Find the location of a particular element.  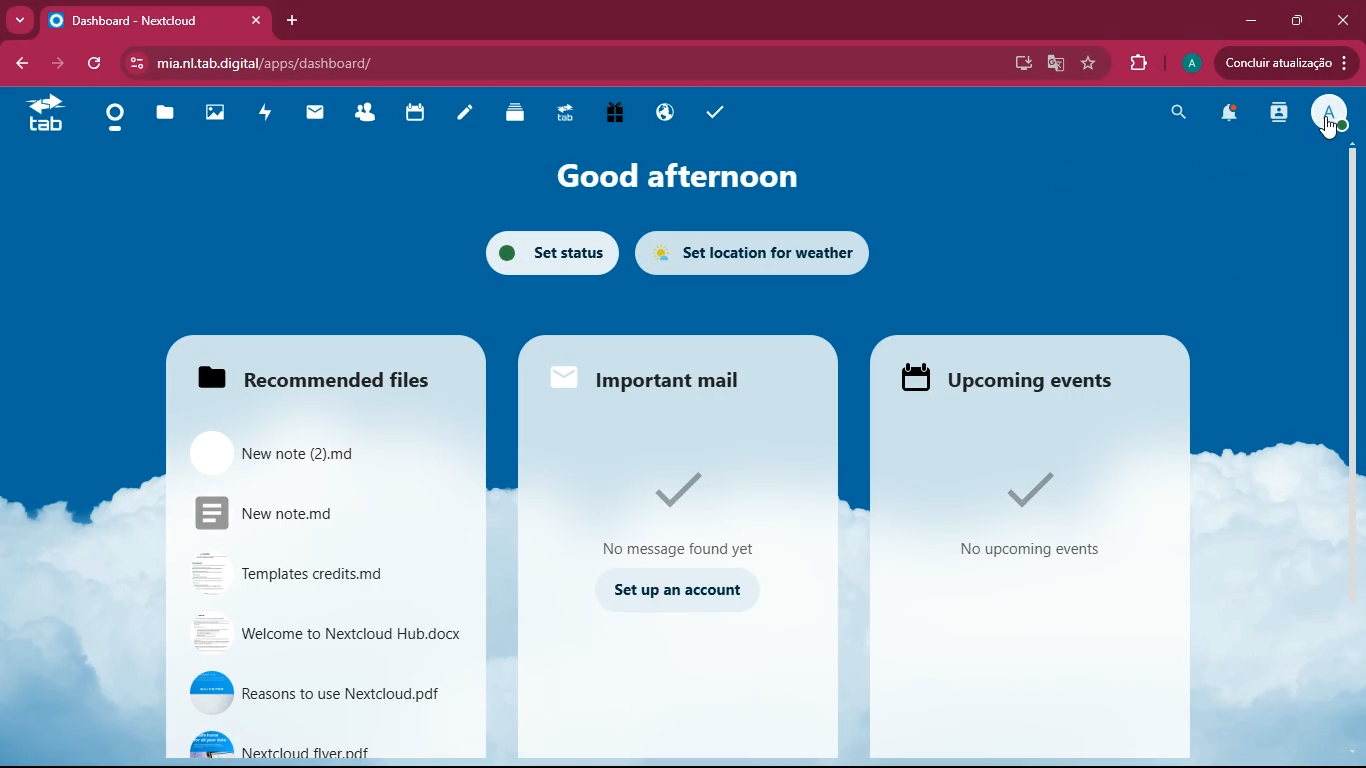

maximize is located at coordinates (1296, 22).